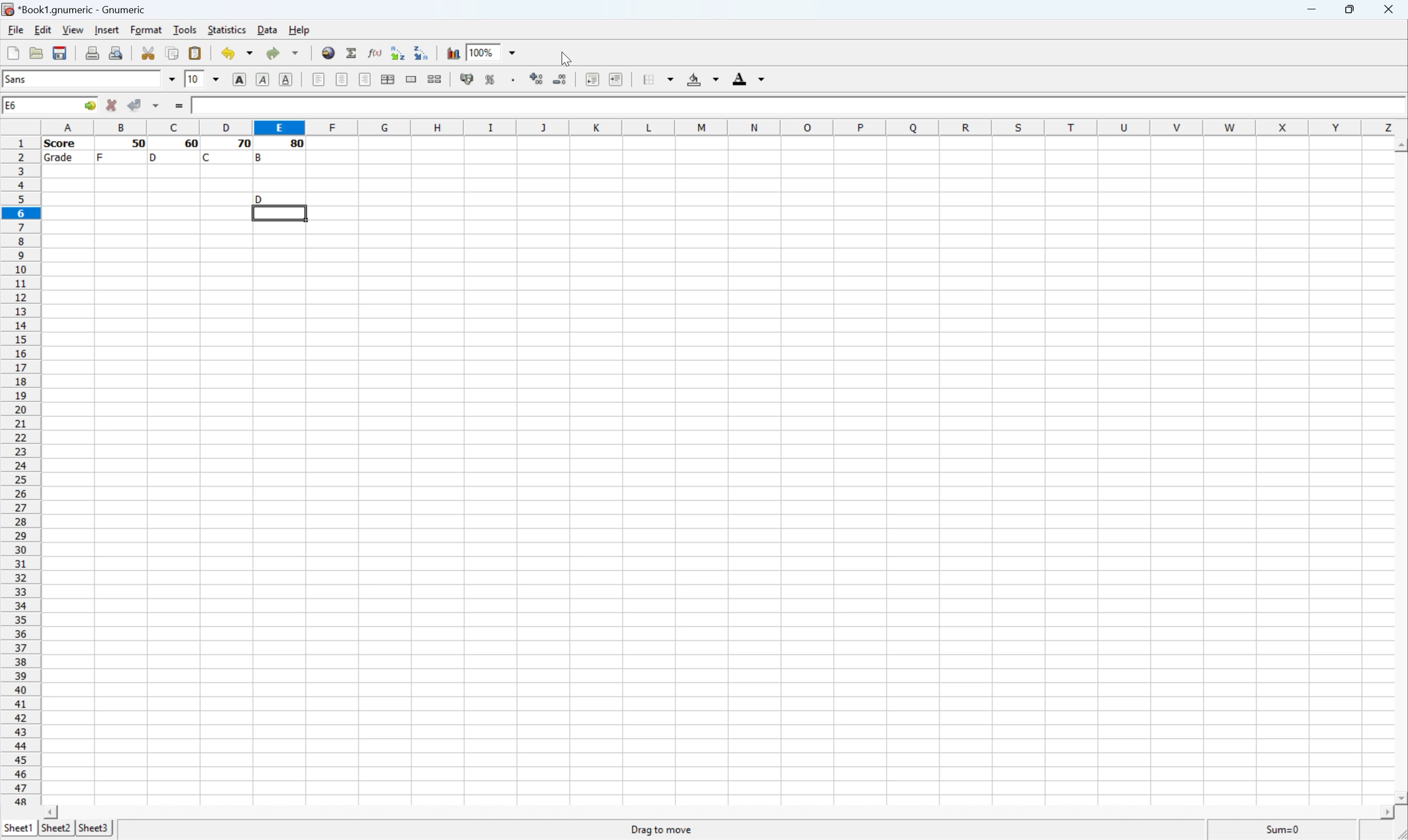  Describe the element at coordinates (12, 51) in the screenshot. I see `Create a new workbook` at that location.